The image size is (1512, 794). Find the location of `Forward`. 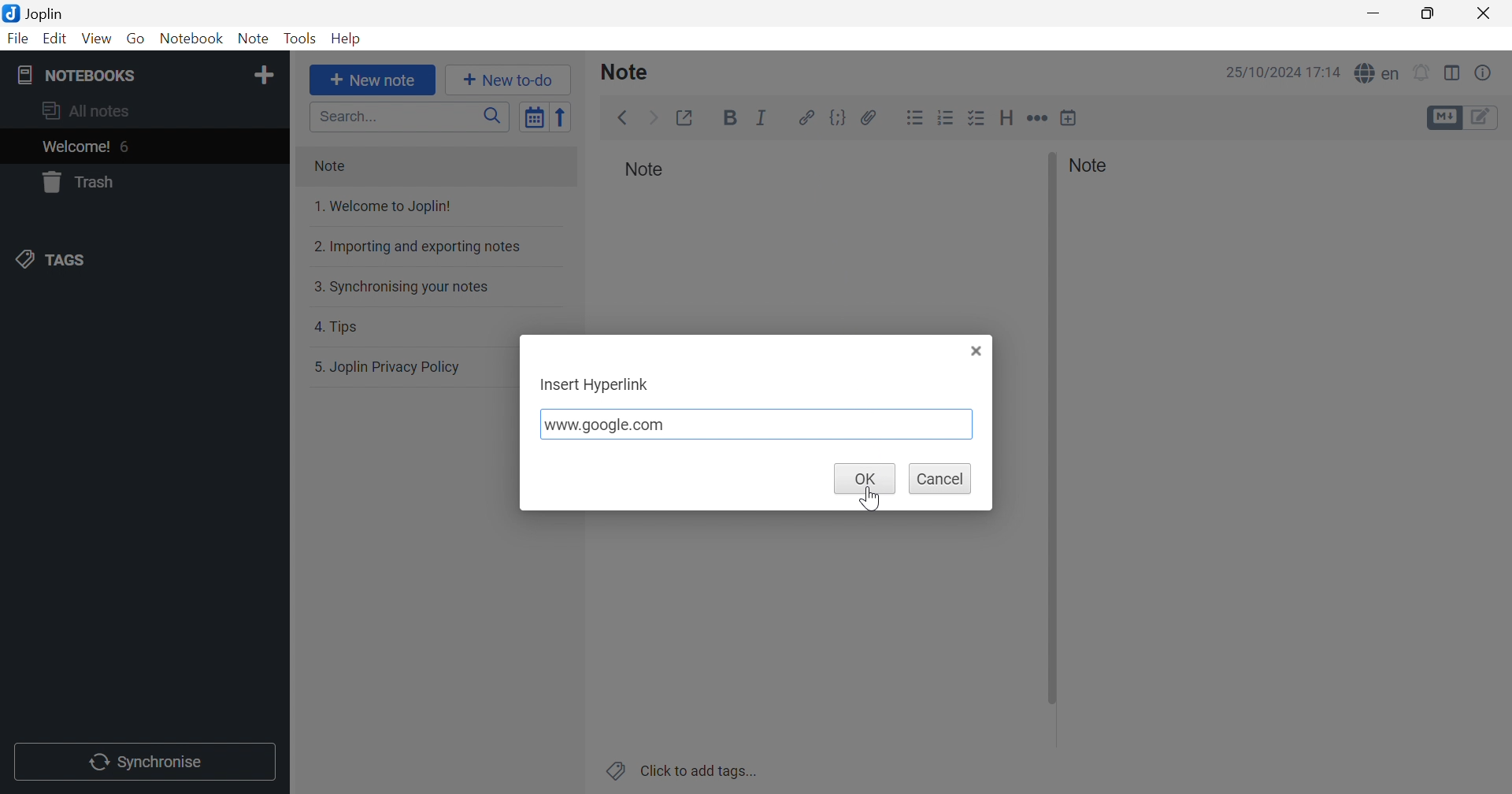

Forward is located at coordinates (654, 117).